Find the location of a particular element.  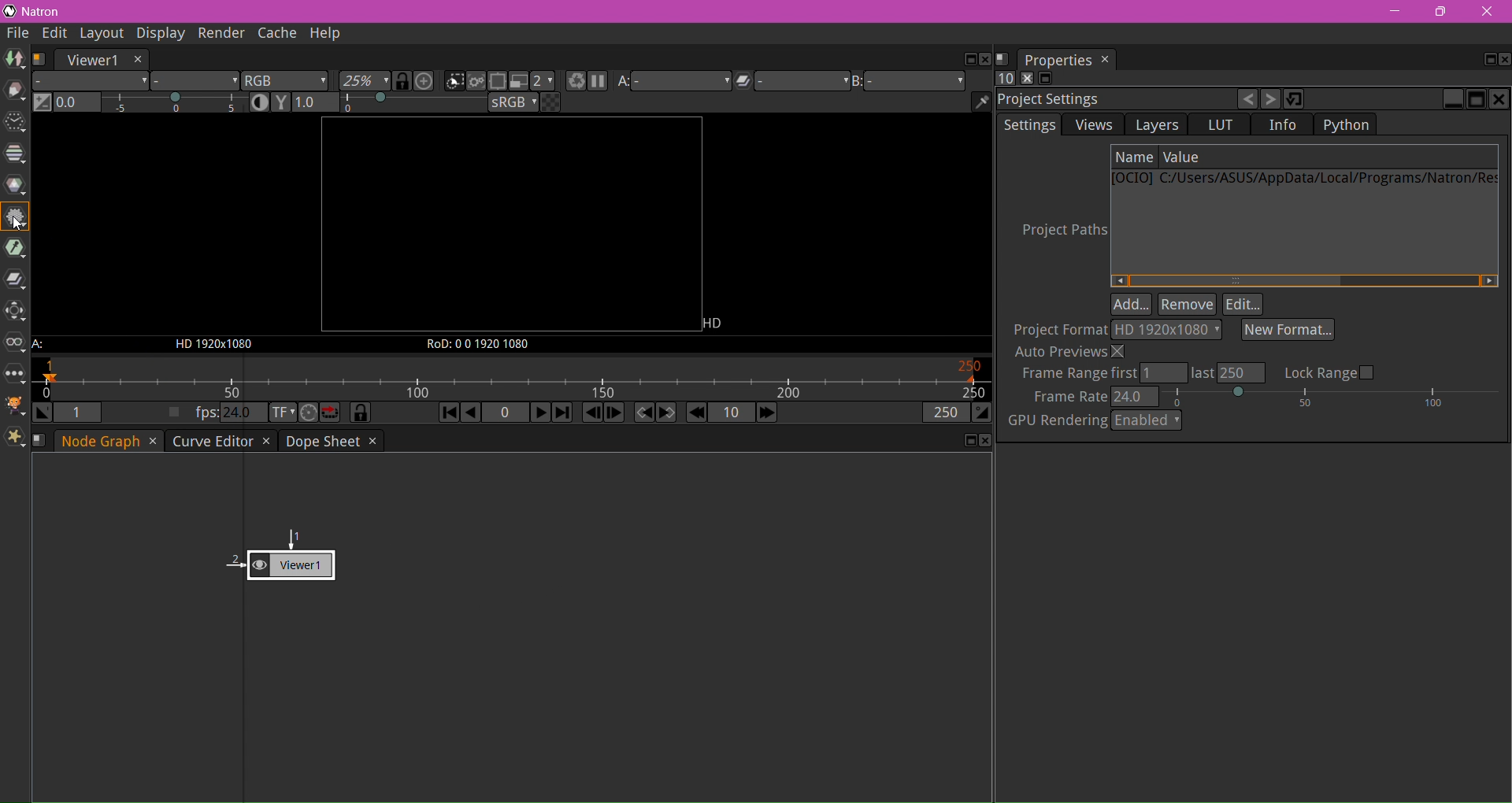

Alpha channel is located at coordinates (195, 83).